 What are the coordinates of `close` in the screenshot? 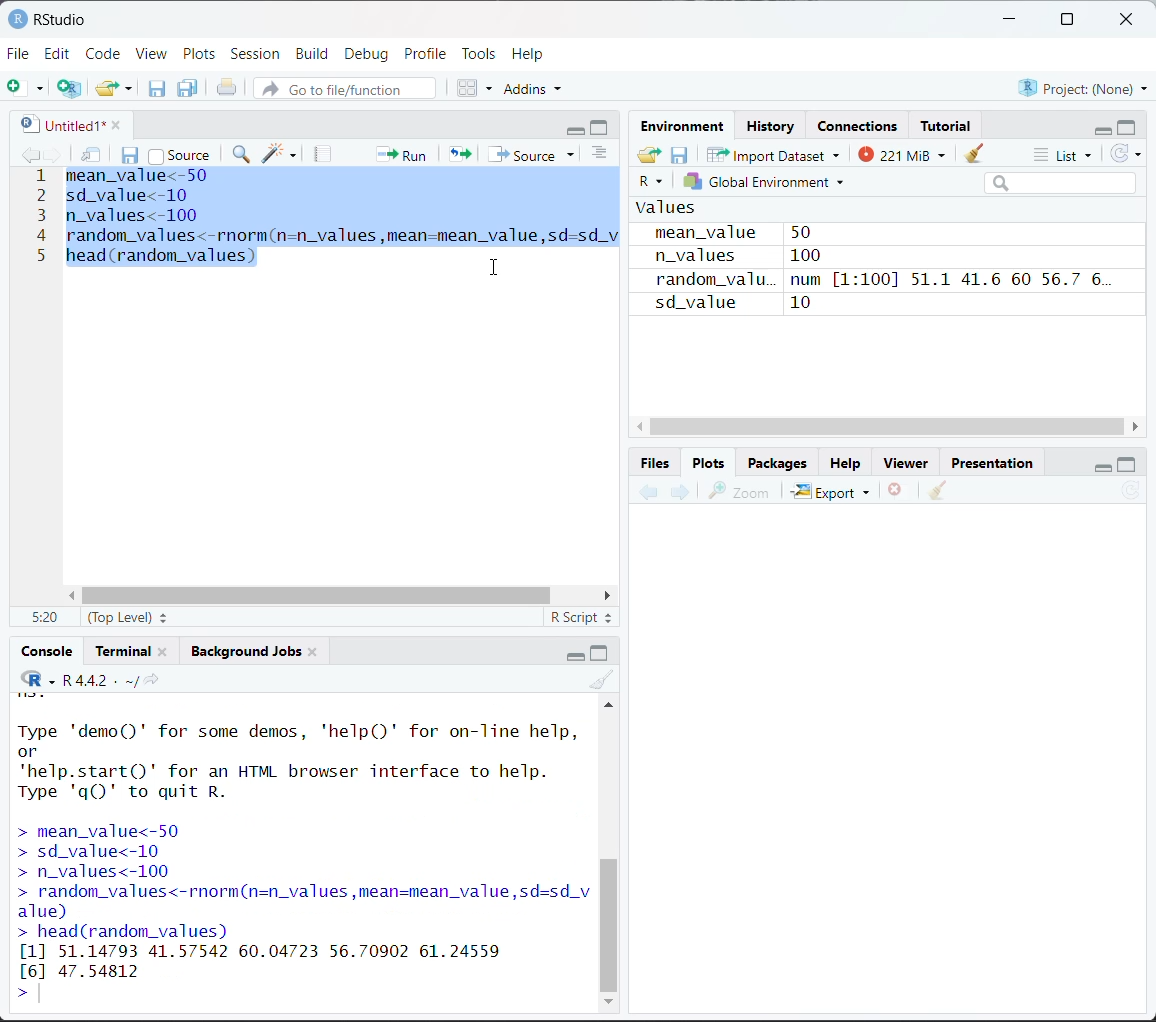 It's located at (1130, 20).